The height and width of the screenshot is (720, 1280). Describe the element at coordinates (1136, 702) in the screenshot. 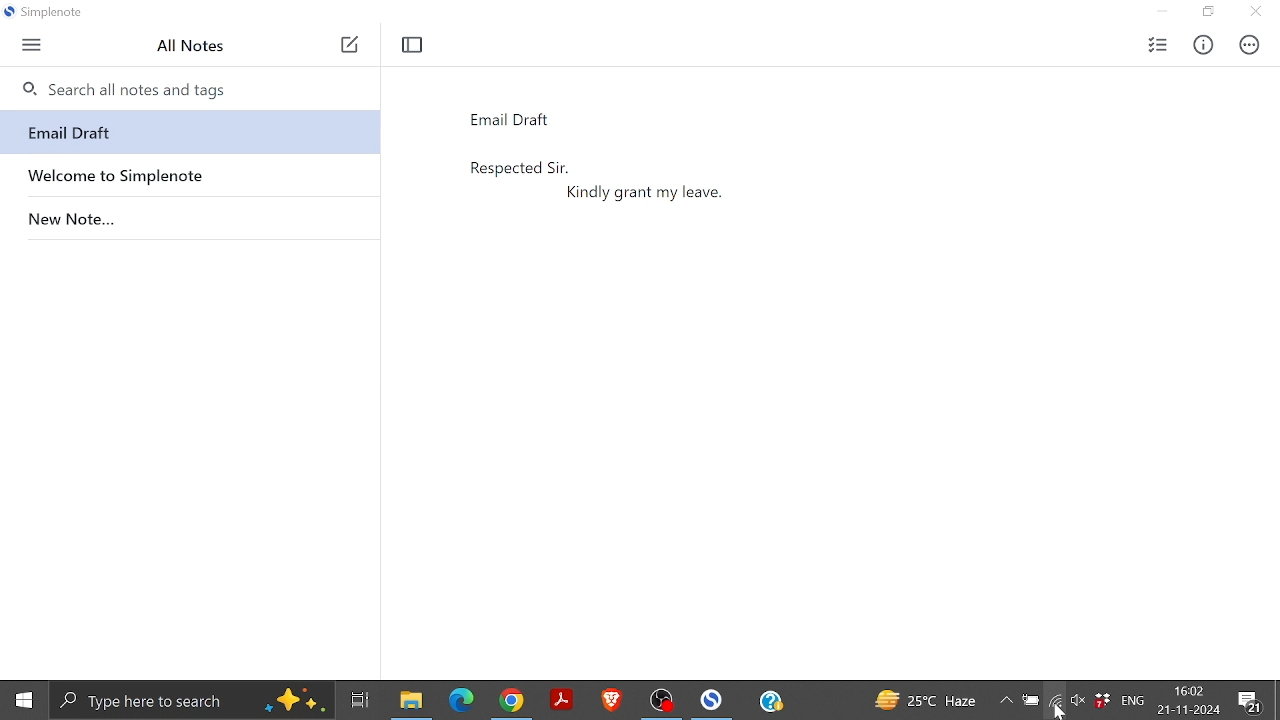

I see `Language` at that location.